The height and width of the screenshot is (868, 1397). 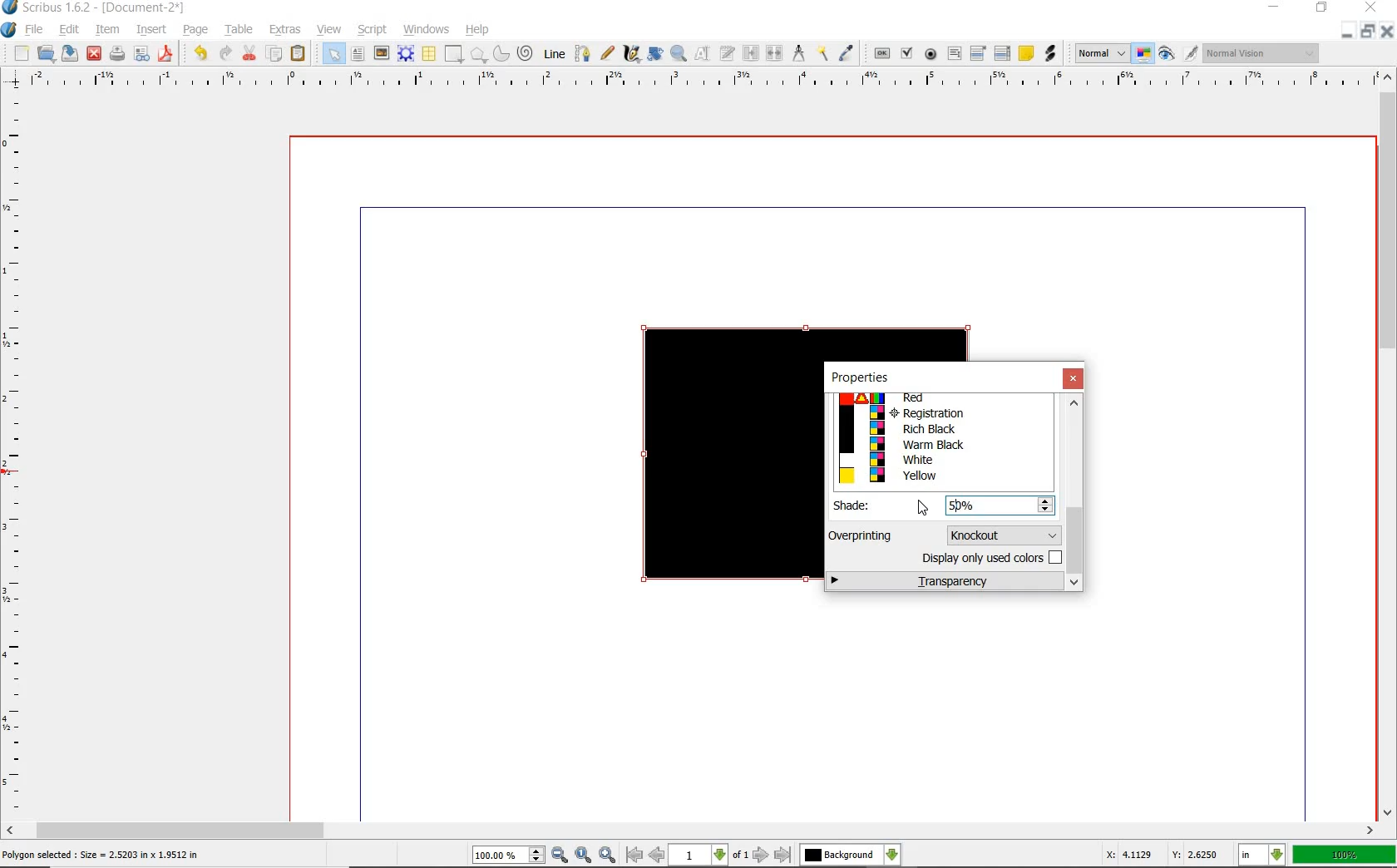 I want to click on select the current unit, so click(x=1263, y=856).